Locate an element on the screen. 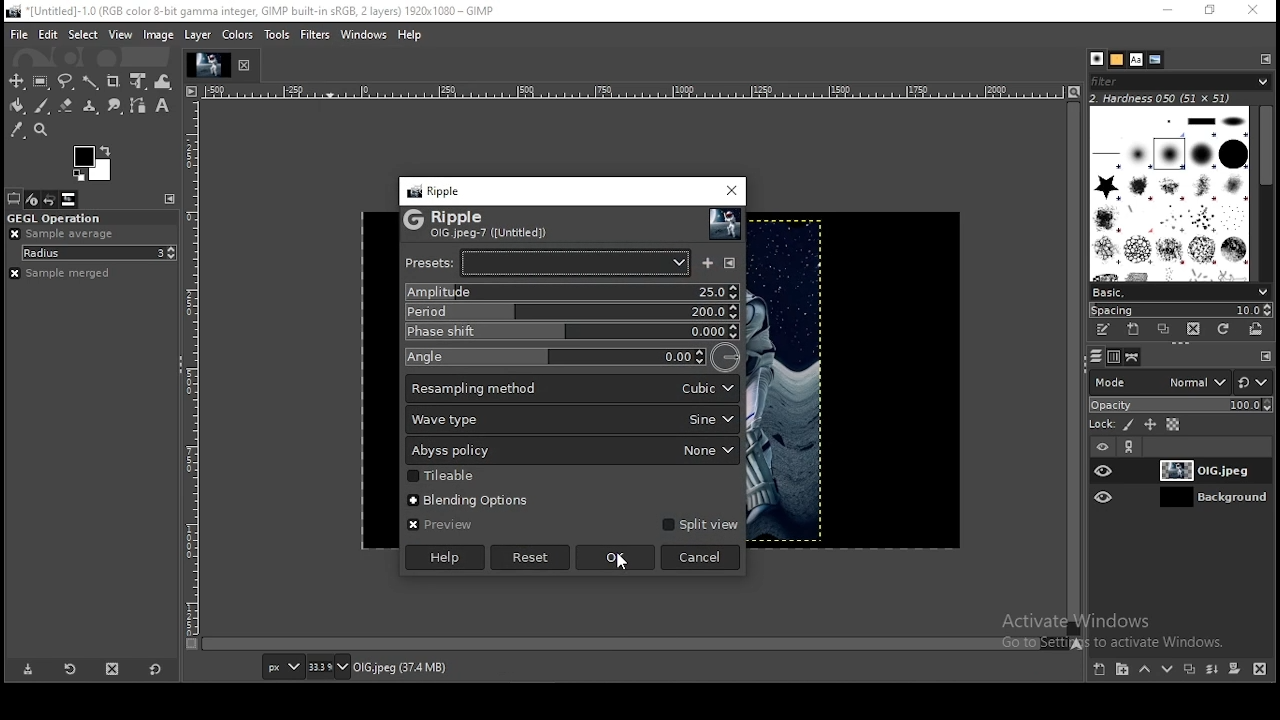 The height and width of the screenshot is (720, 1280). unified transform tool is located at coordinates (140, 80).